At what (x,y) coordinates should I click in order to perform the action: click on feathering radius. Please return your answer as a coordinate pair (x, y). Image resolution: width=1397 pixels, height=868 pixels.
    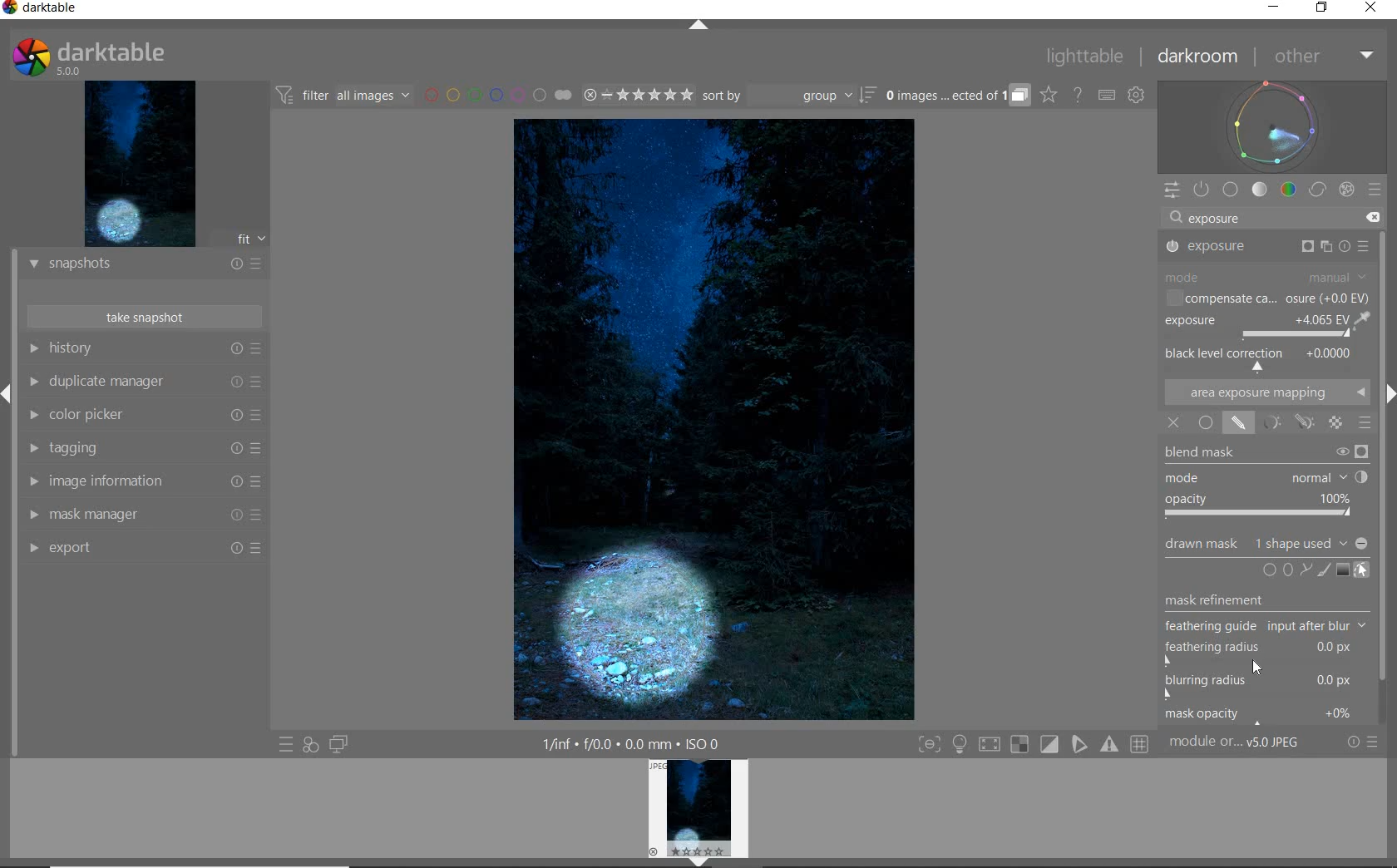
    Looking at the image, I should click on (1265, 653).